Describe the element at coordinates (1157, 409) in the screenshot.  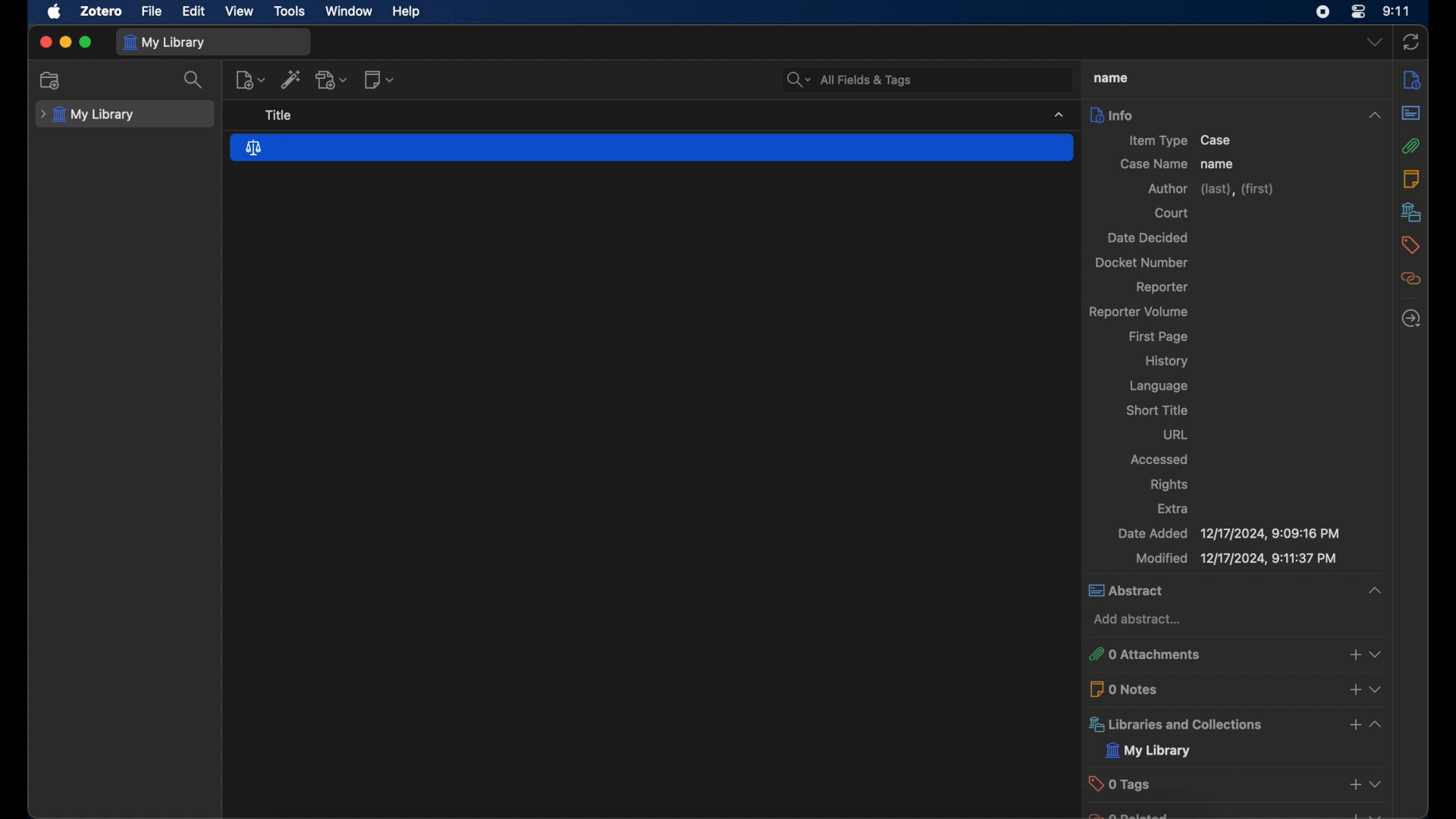
I see `short title` at that location.